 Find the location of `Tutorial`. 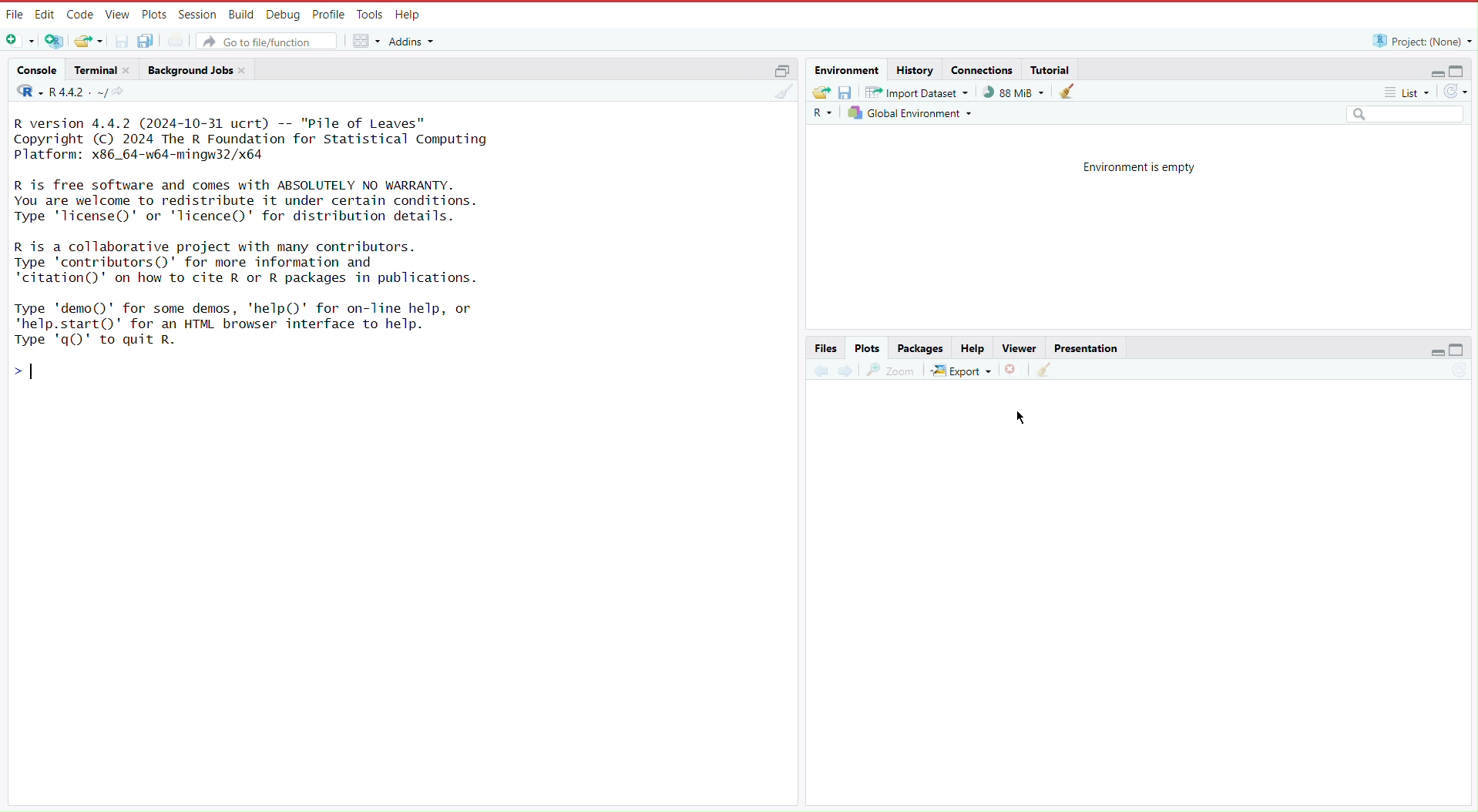

Tutorial is located at coordinates (1053, 69).